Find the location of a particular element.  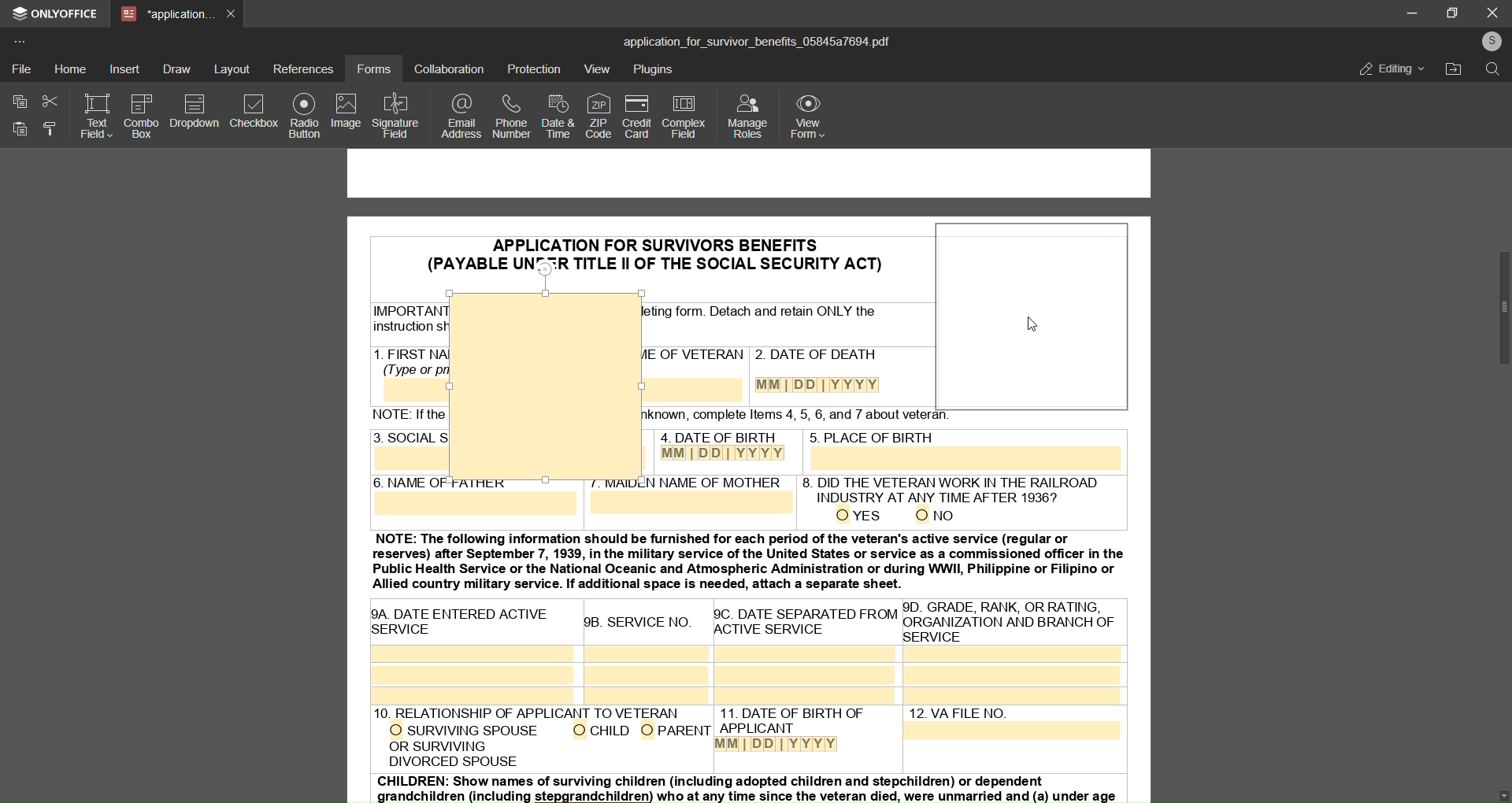

copy is located at coordinates (17, 101).